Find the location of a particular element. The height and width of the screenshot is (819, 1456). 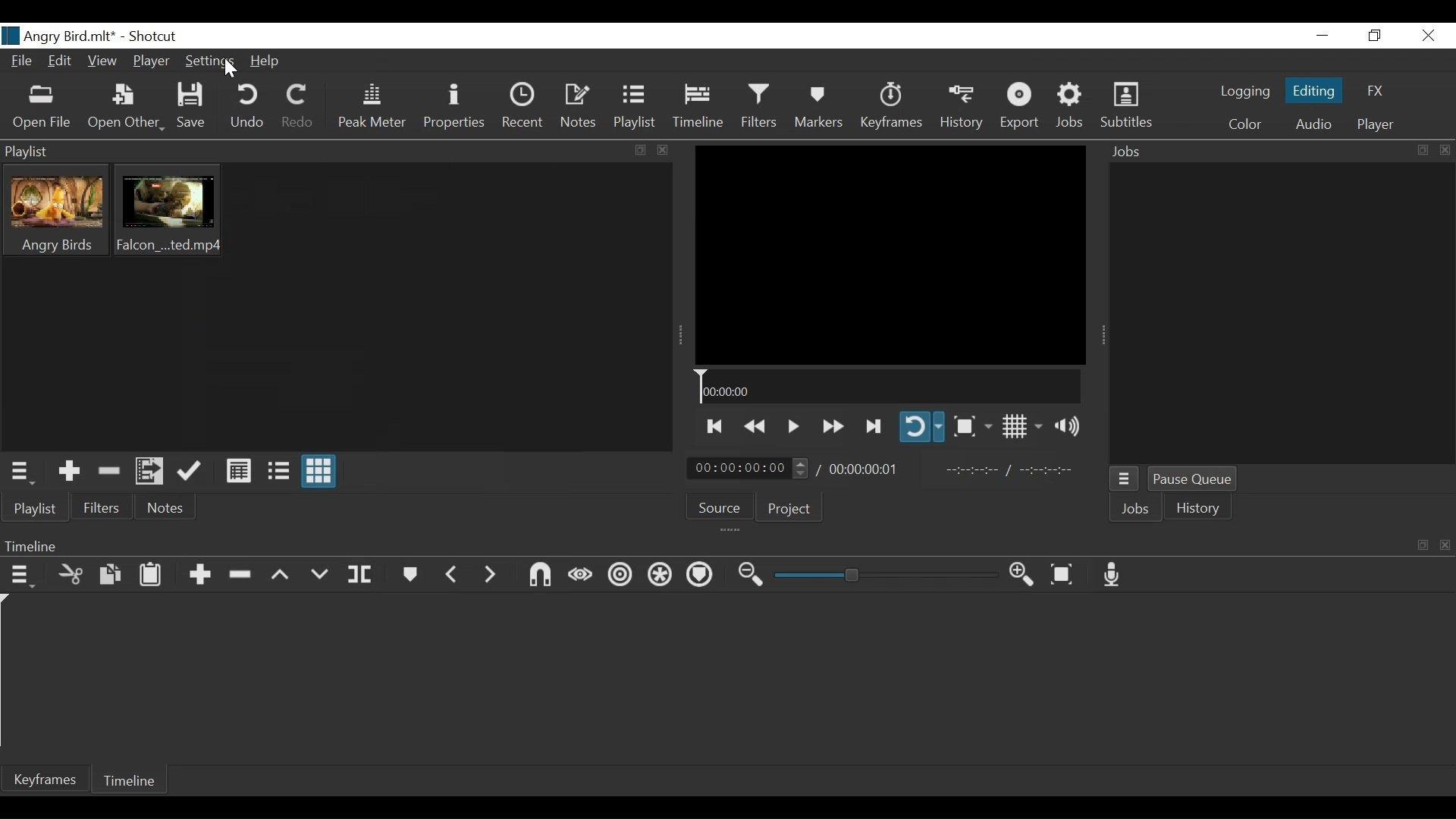

View as Files is located at coordinates (279, 472).